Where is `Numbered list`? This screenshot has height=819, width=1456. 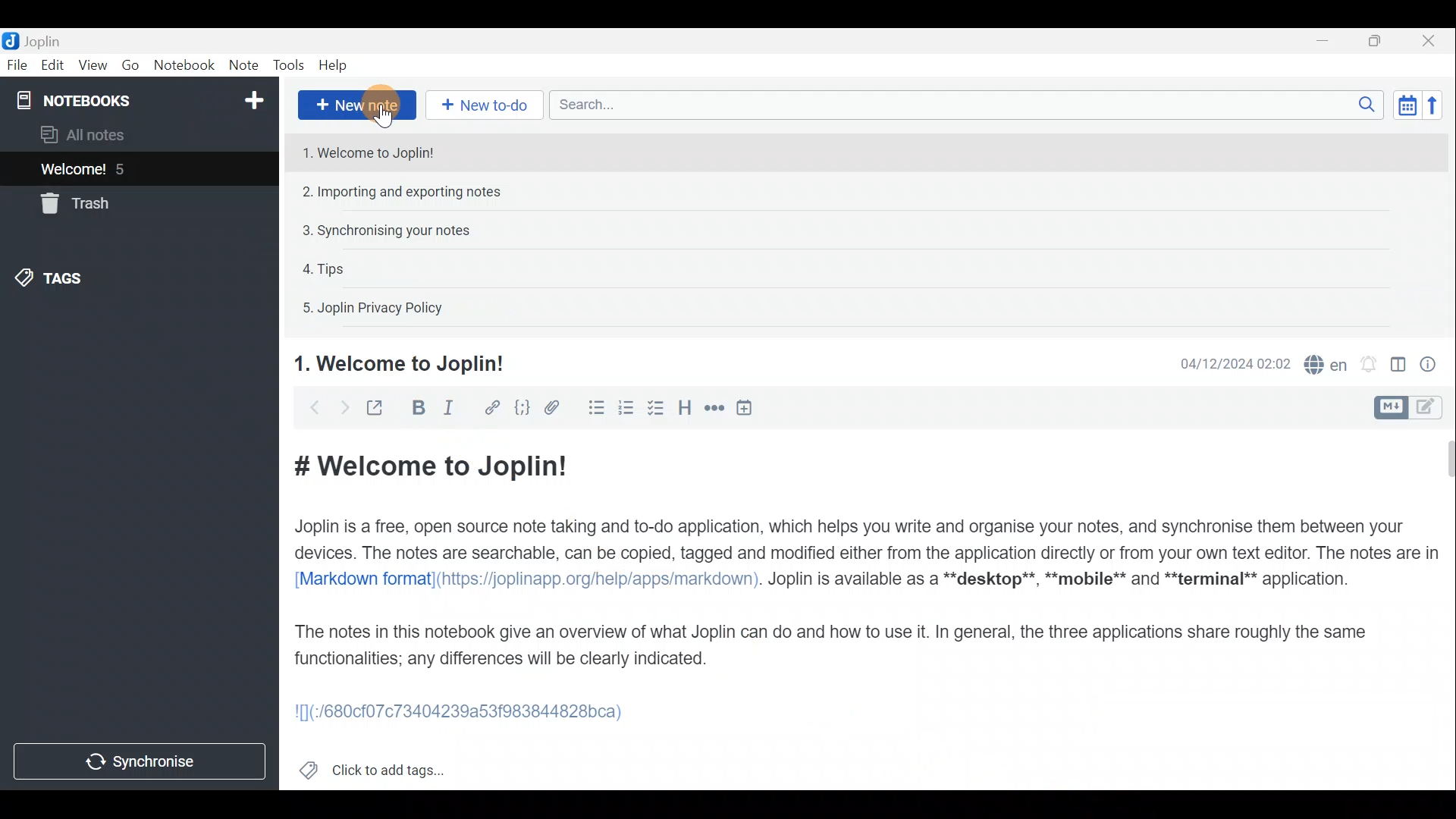
Numbered list is located at coordinates (626, 410).